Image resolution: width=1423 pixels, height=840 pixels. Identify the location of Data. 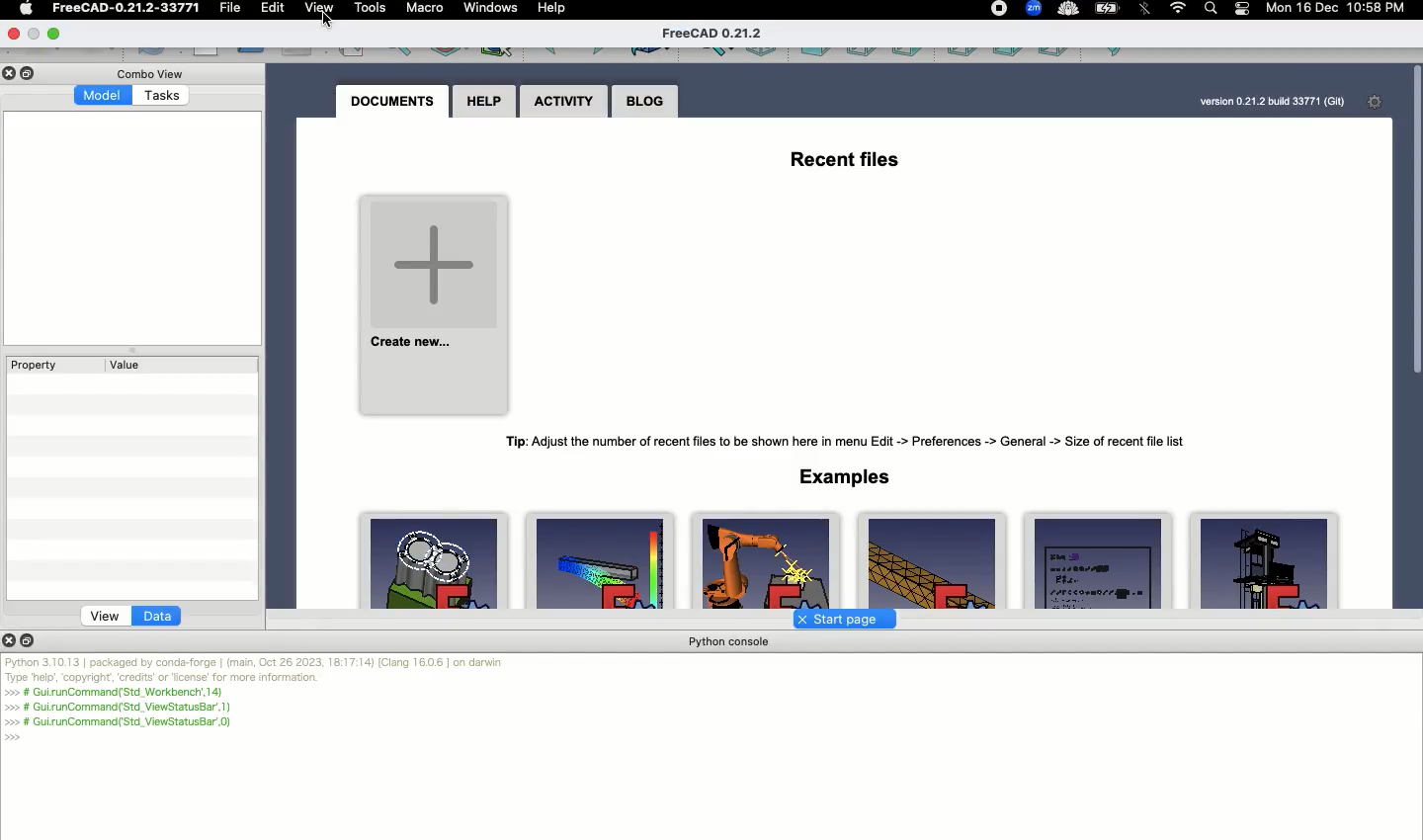
(158, 617).